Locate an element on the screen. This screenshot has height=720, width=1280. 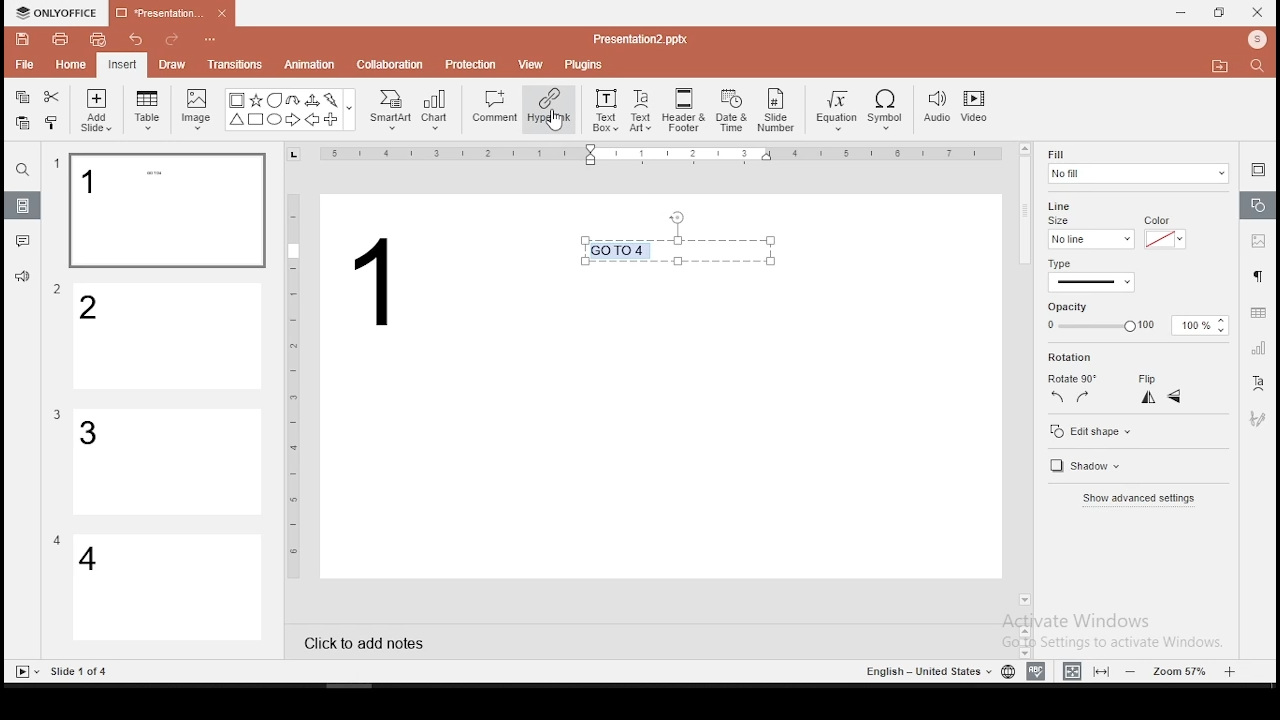
flip horizontal is located at coordinates (1146, 397).